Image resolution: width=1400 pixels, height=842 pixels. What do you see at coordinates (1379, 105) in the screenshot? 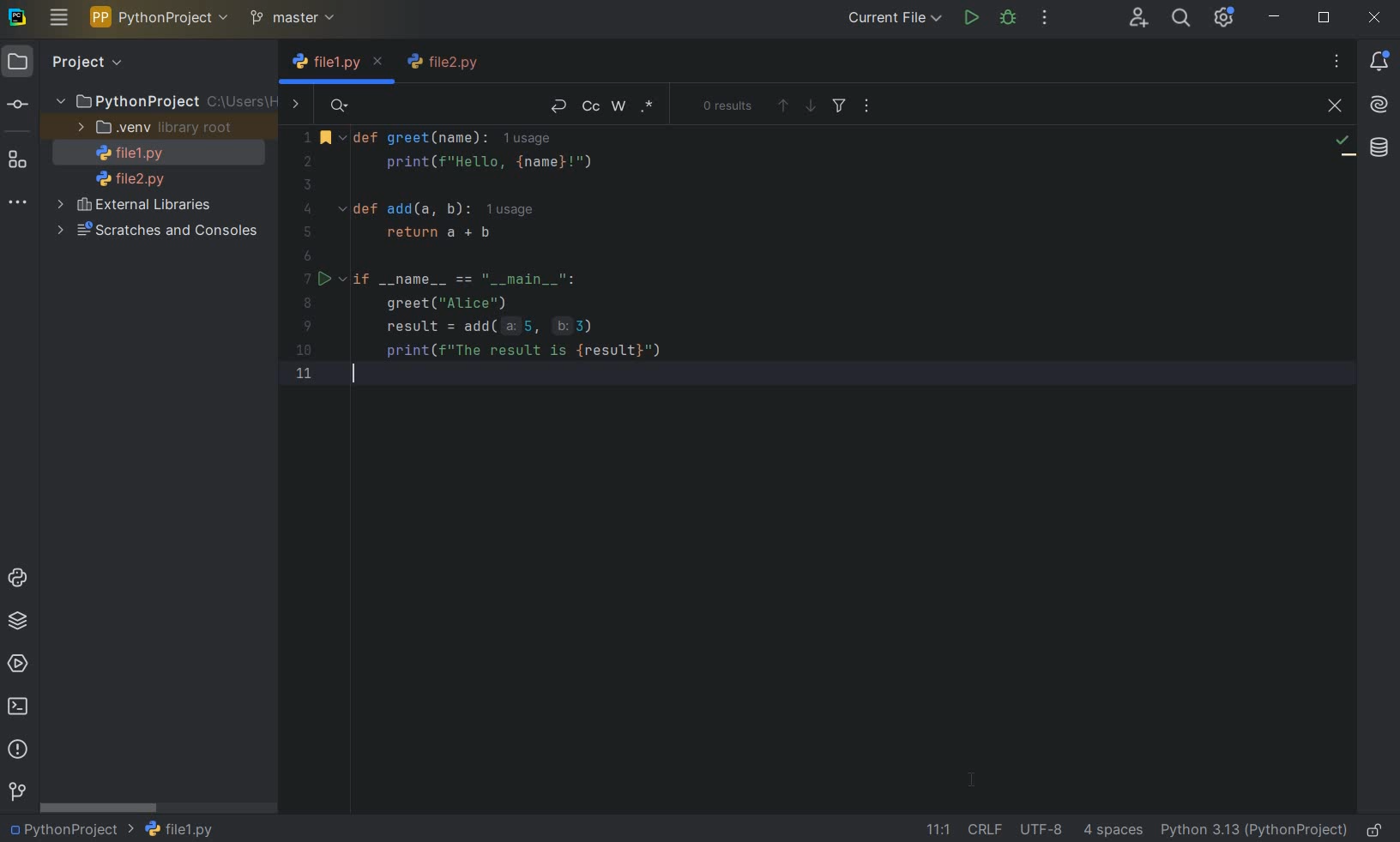
I see `AI ASSISTANT` at bounding box center [1379, 105].